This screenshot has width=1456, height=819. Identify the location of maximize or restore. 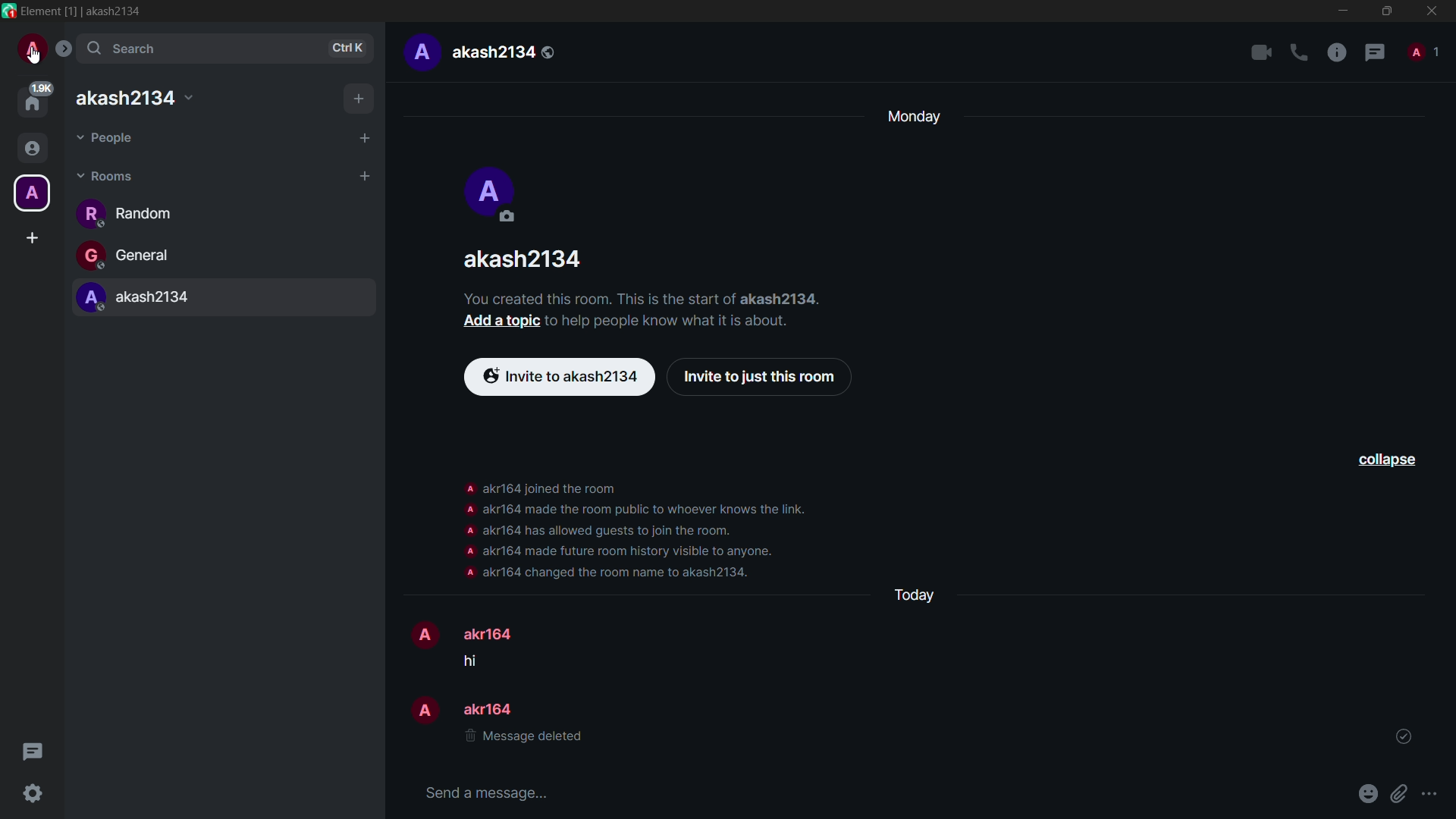
(1386, 10).